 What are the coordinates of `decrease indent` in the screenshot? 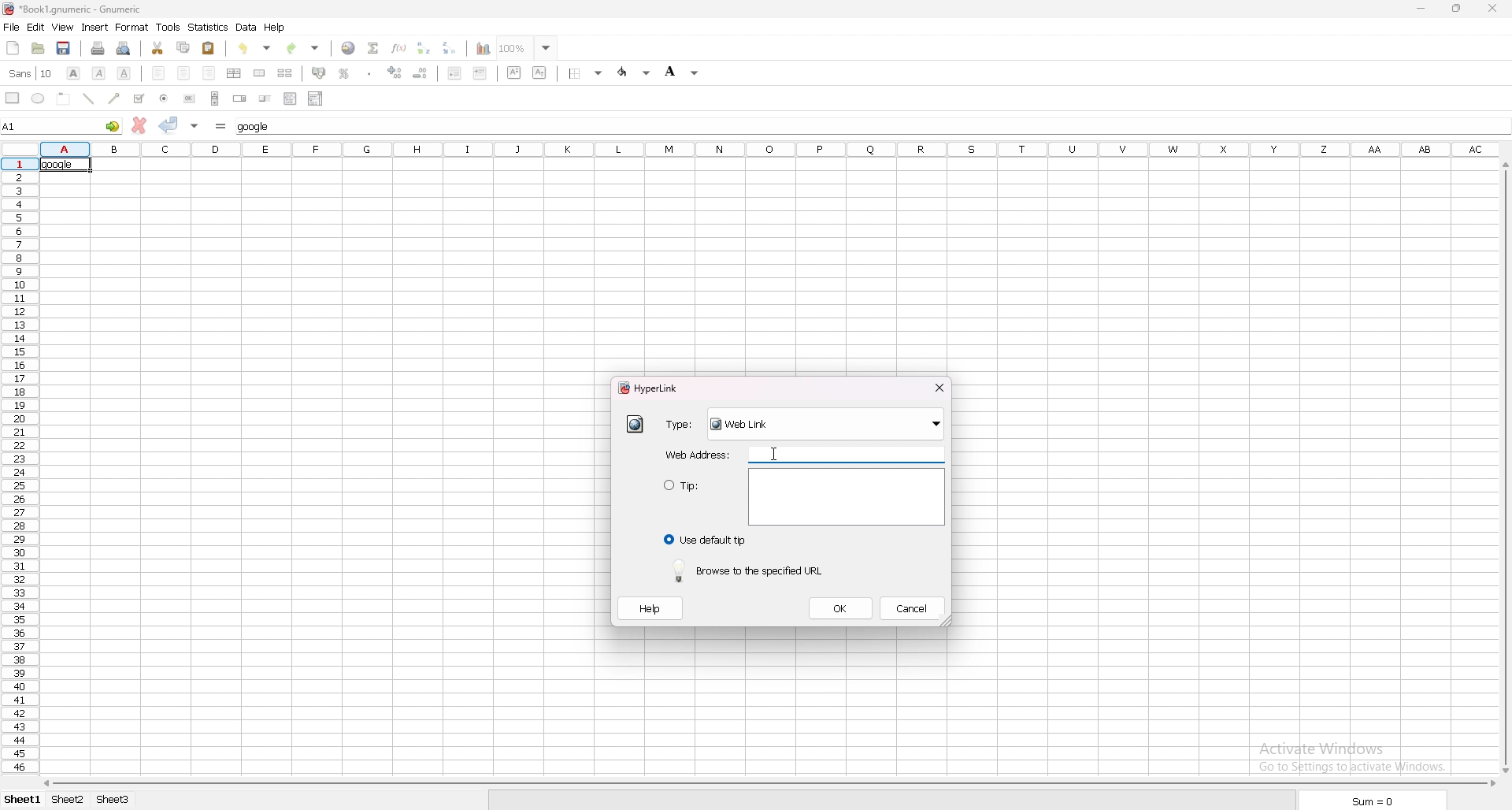 It's located at (454, 72).